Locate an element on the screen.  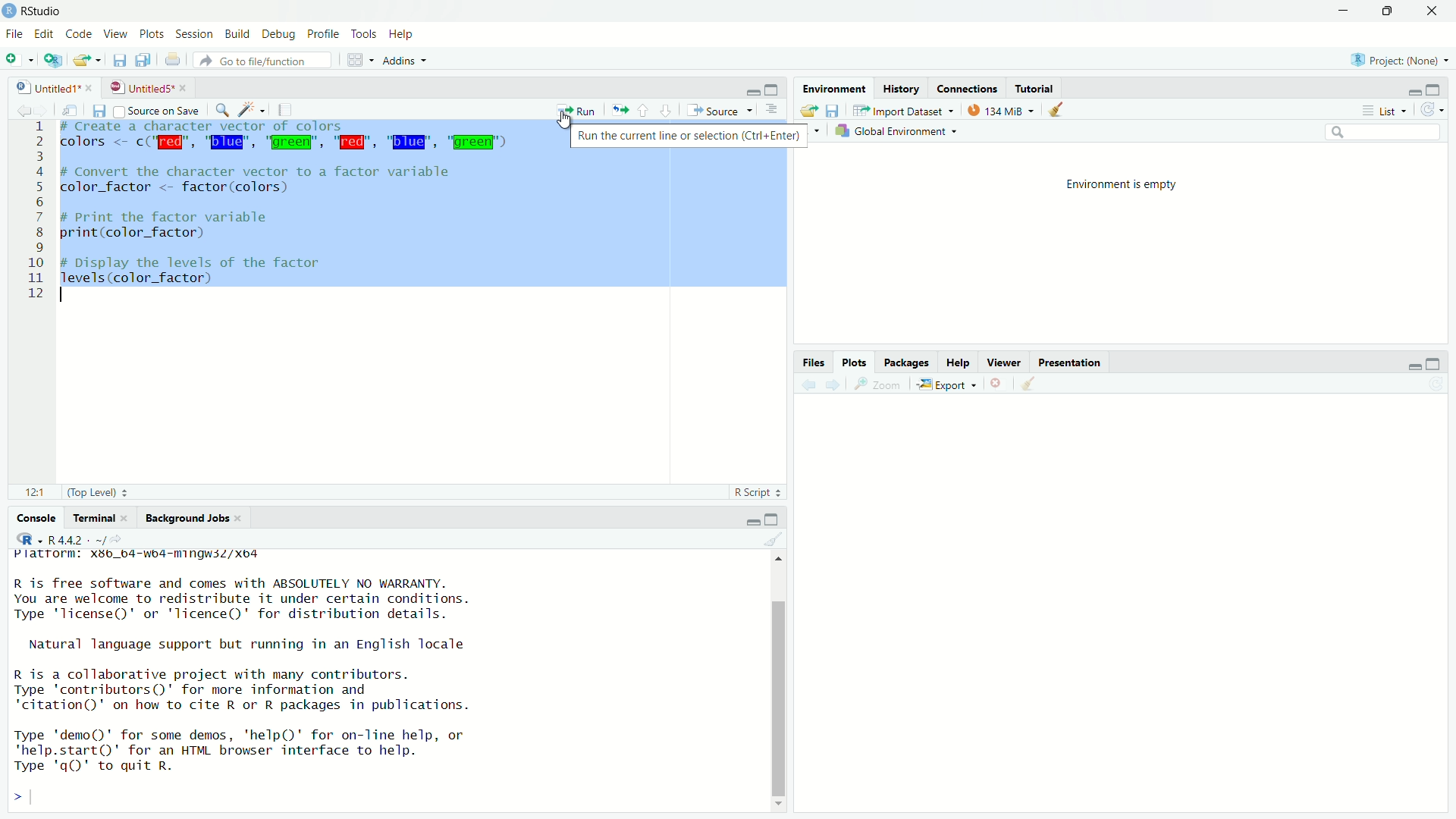
go back to the previous source location is located at coordinates (17, 110).